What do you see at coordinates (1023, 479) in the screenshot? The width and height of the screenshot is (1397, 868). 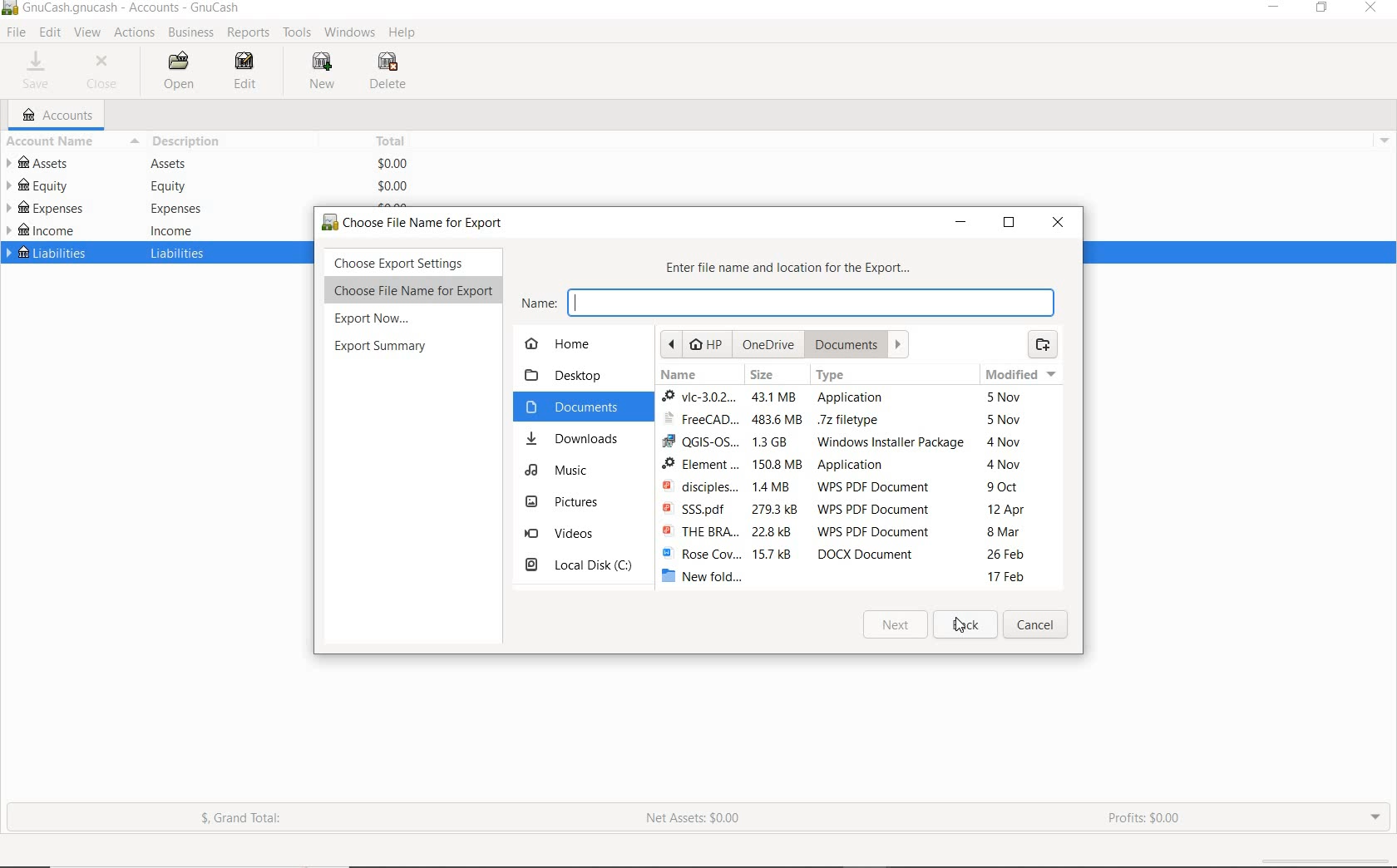 I see `modified` at bounding box center [1023, 479].